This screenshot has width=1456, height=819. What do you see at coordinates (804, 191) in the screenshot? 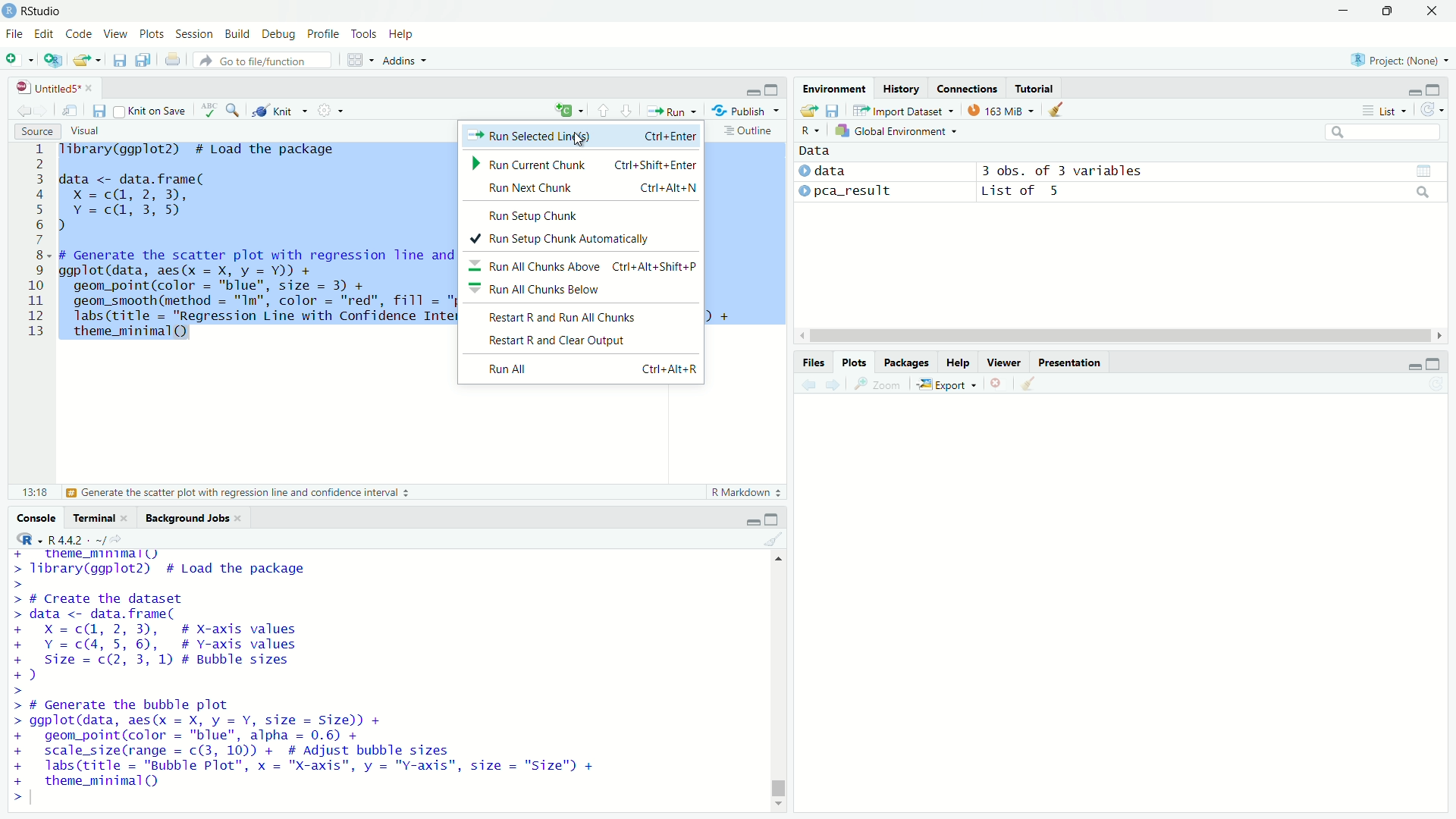
I see `expand/collapse` at bounding box center [804, 191].